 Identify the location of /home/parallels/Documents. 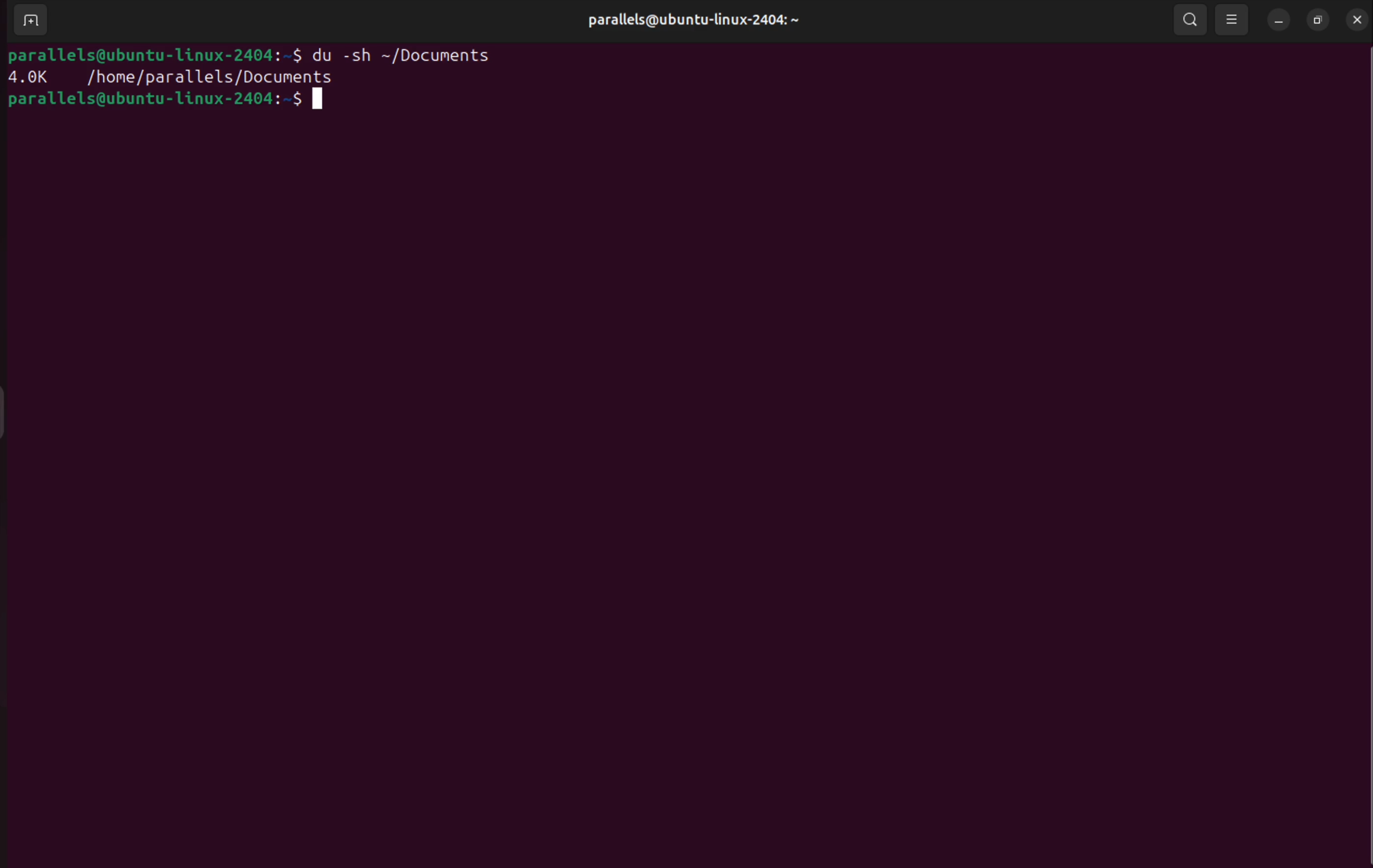
(209, 77).